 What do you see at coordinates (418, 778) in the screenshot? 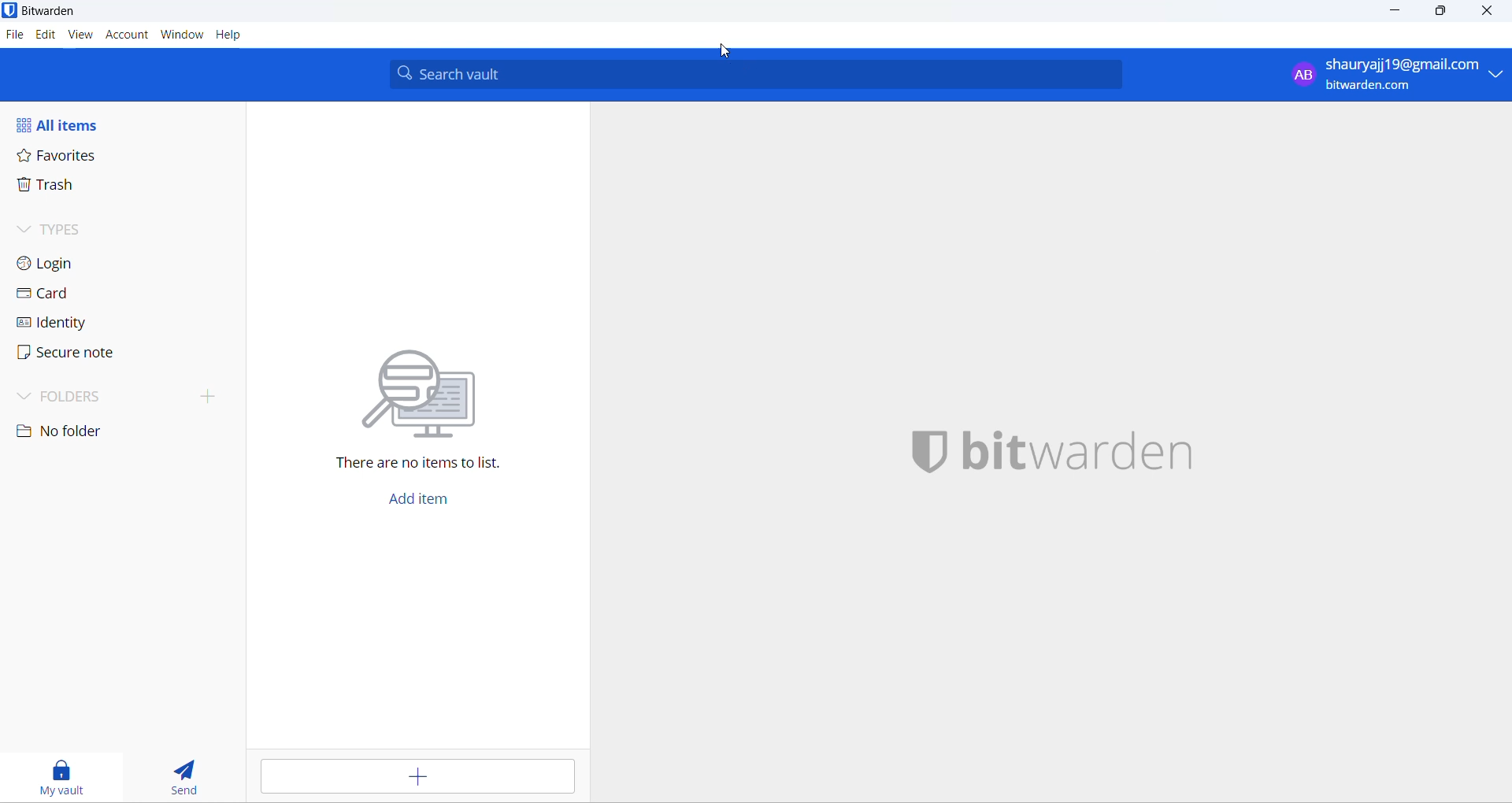
I see `add button` at bounding box center [418, 778].